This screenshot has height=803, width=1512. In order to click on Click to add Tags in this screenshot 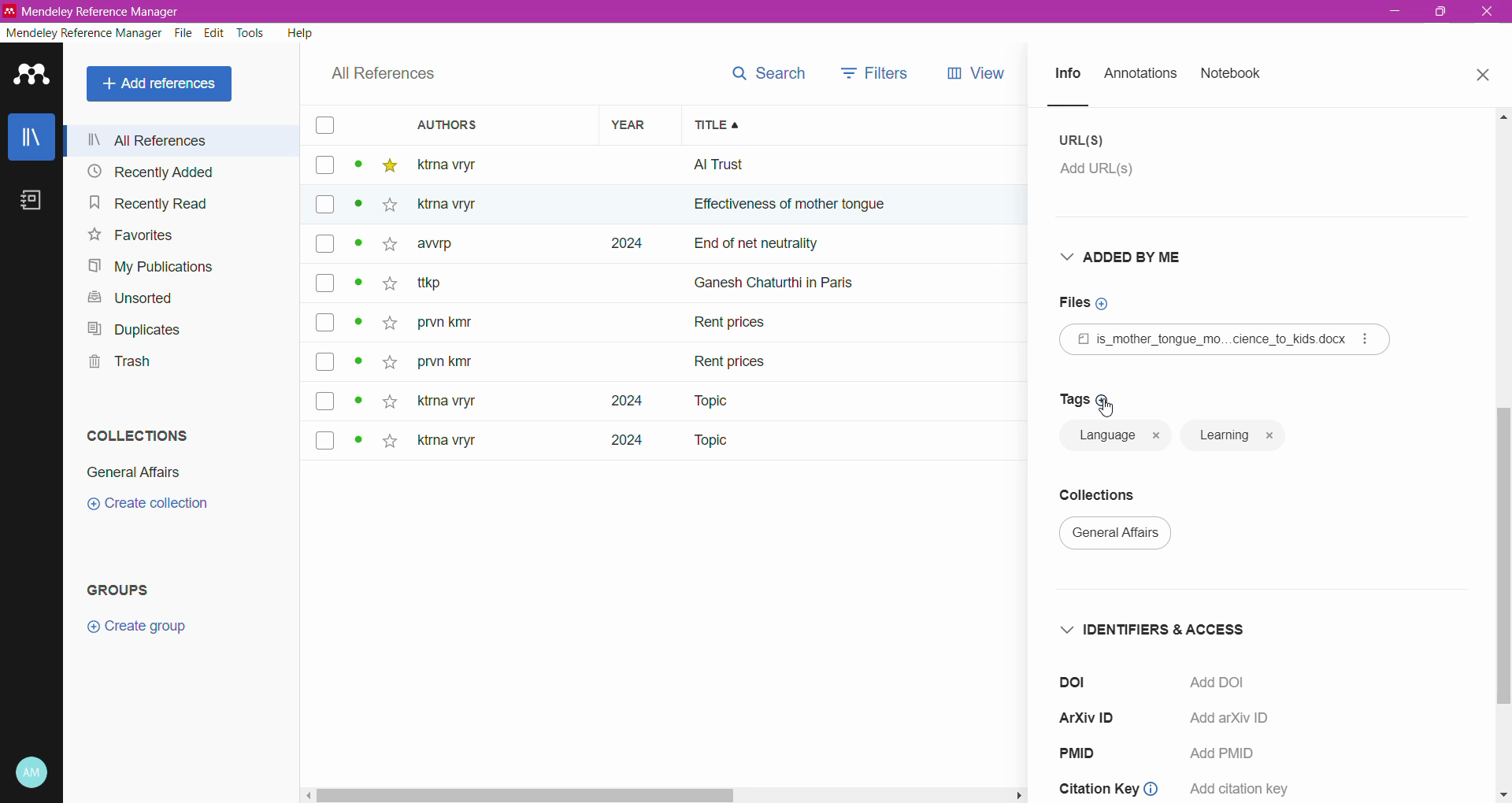, I will do `click(1080, 399)`.